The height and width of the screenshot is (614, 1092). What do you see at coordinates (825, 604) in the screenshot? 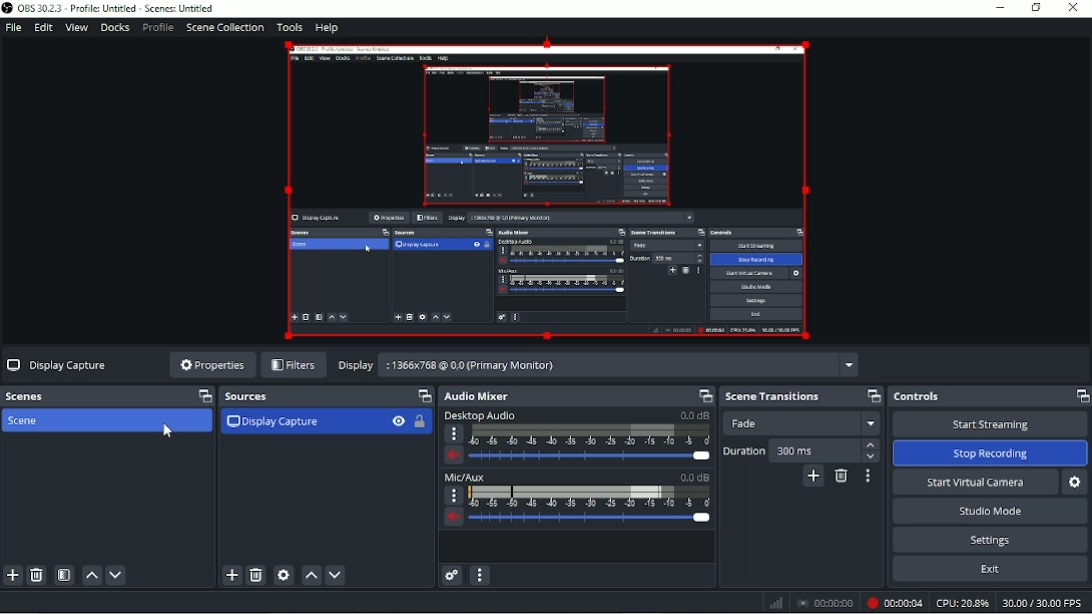
I see `00:00:00` at bounding box center [825, 604].